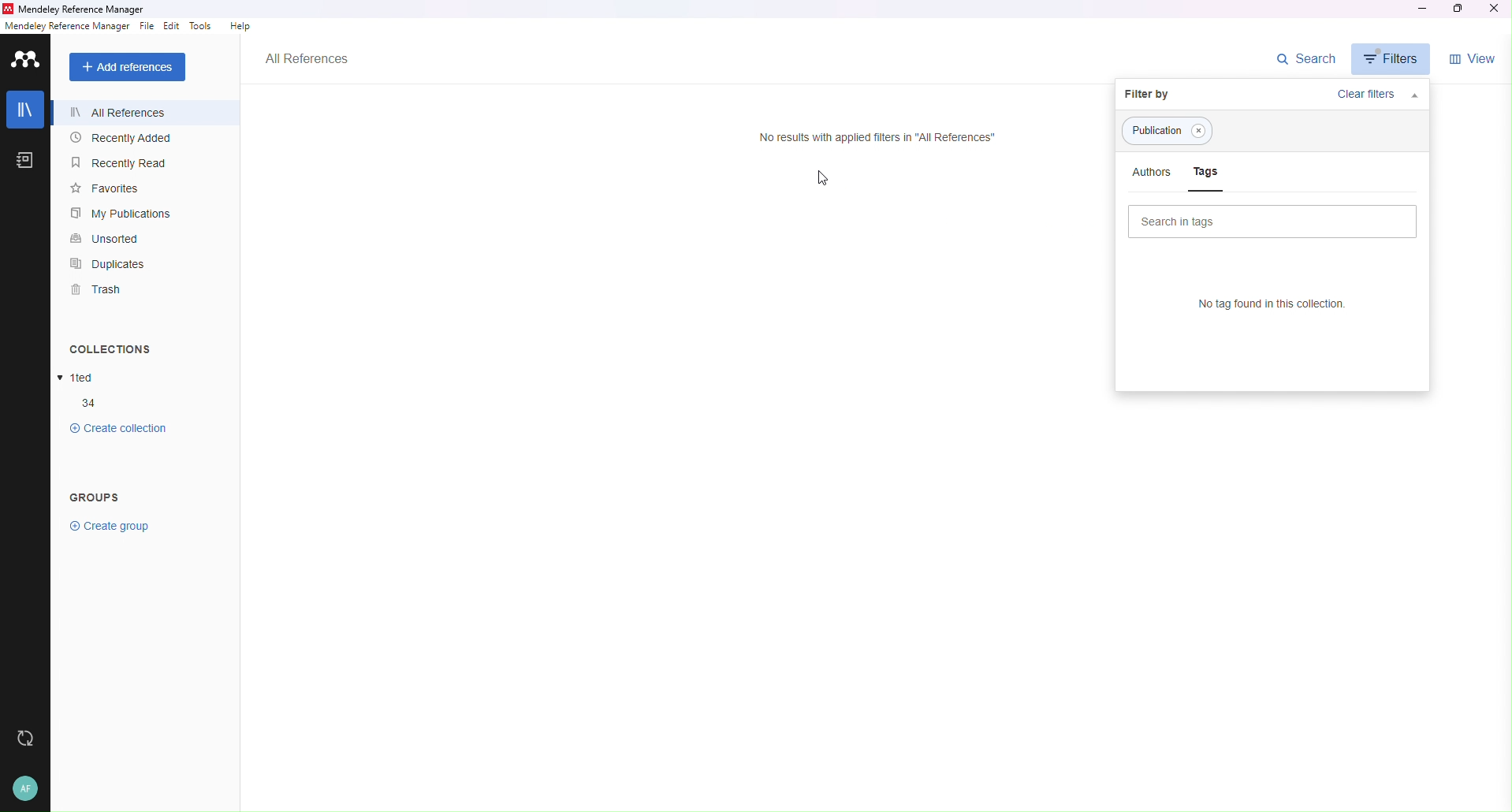 The image size is (1512, 812). I want to click on Tags, so click(1201, 132).